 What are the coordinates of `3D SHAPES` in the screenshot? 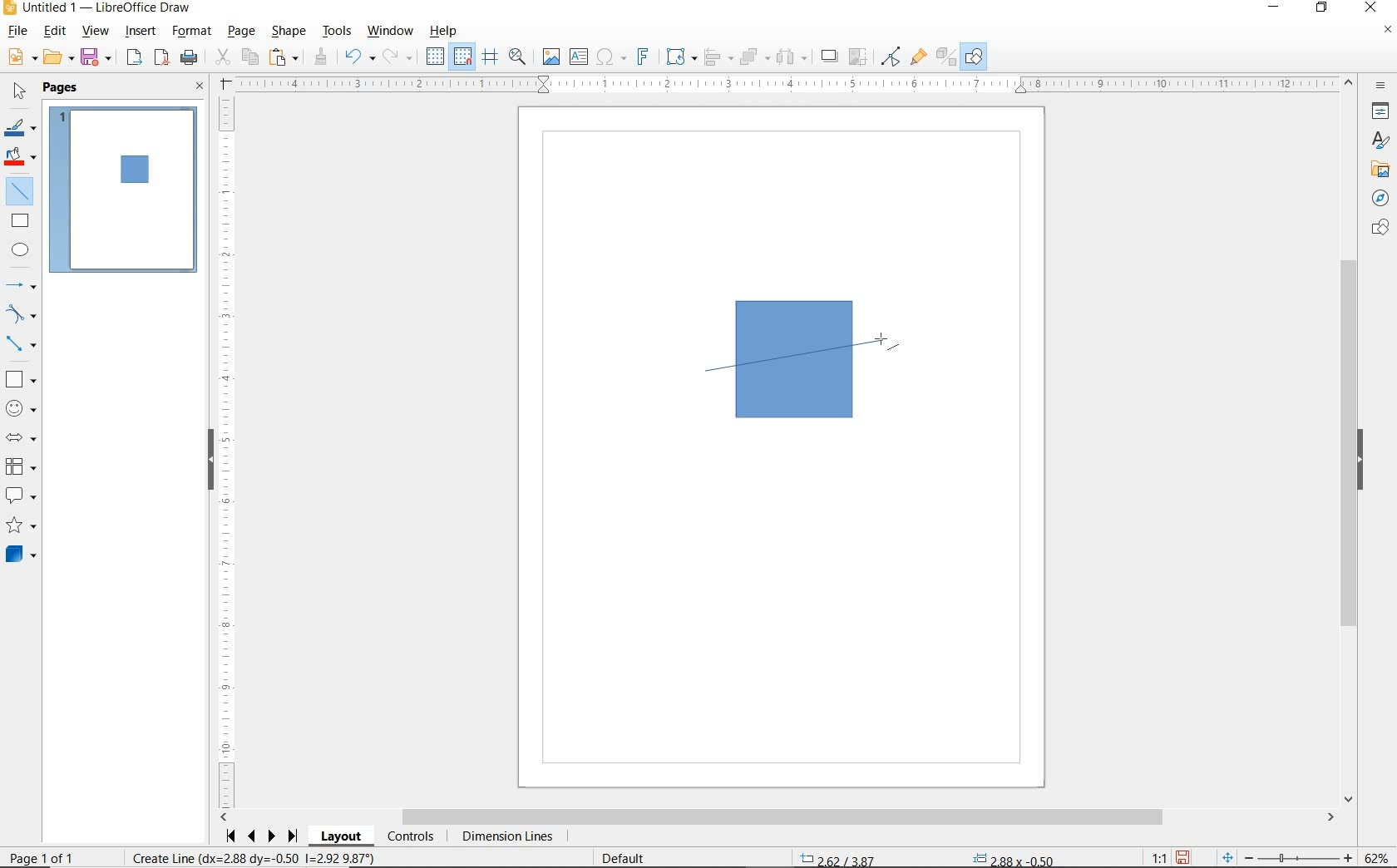 It's located at (21, 555).